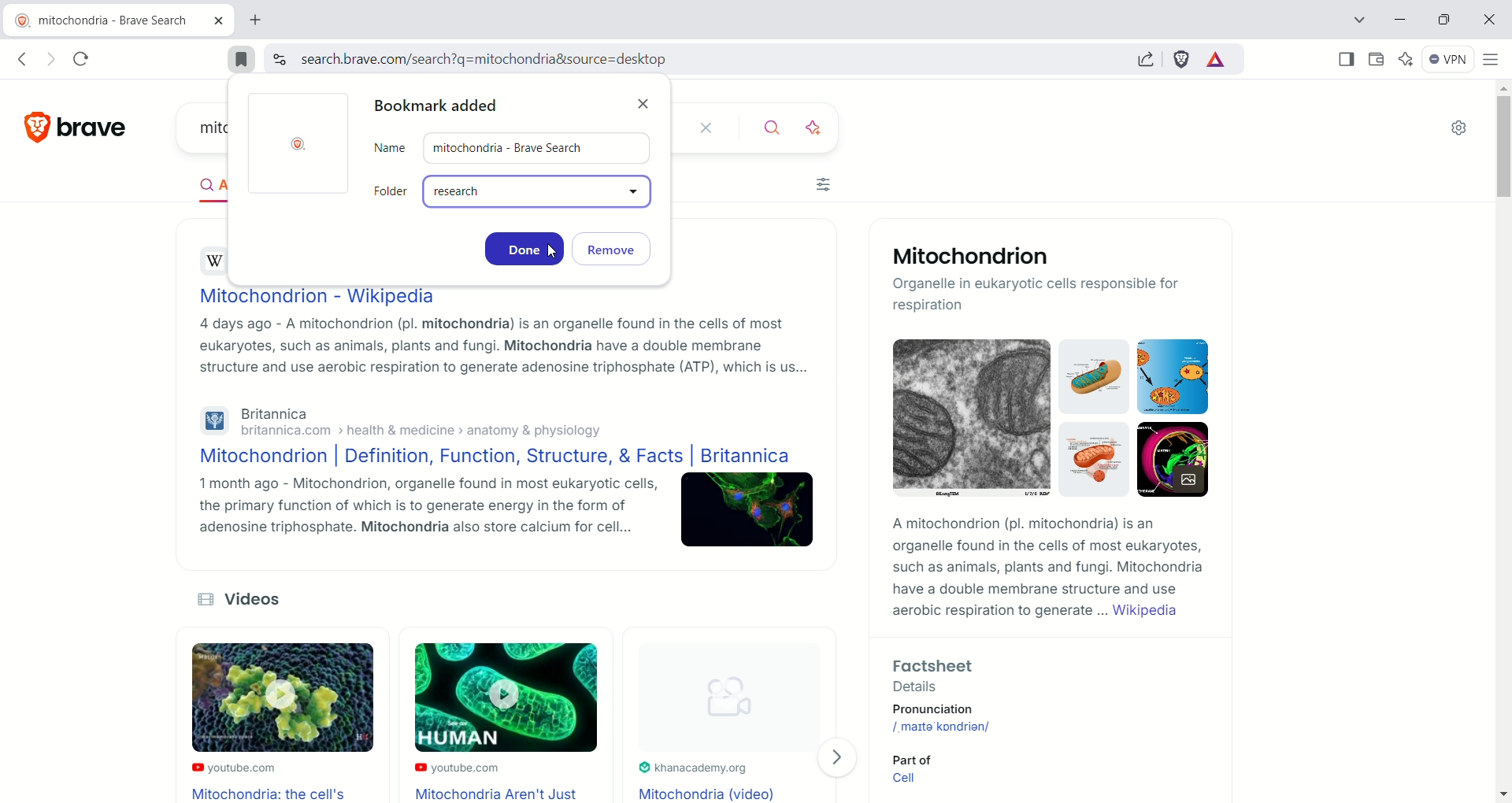  I want to click on Video Thumbnails, so click(488, 701).